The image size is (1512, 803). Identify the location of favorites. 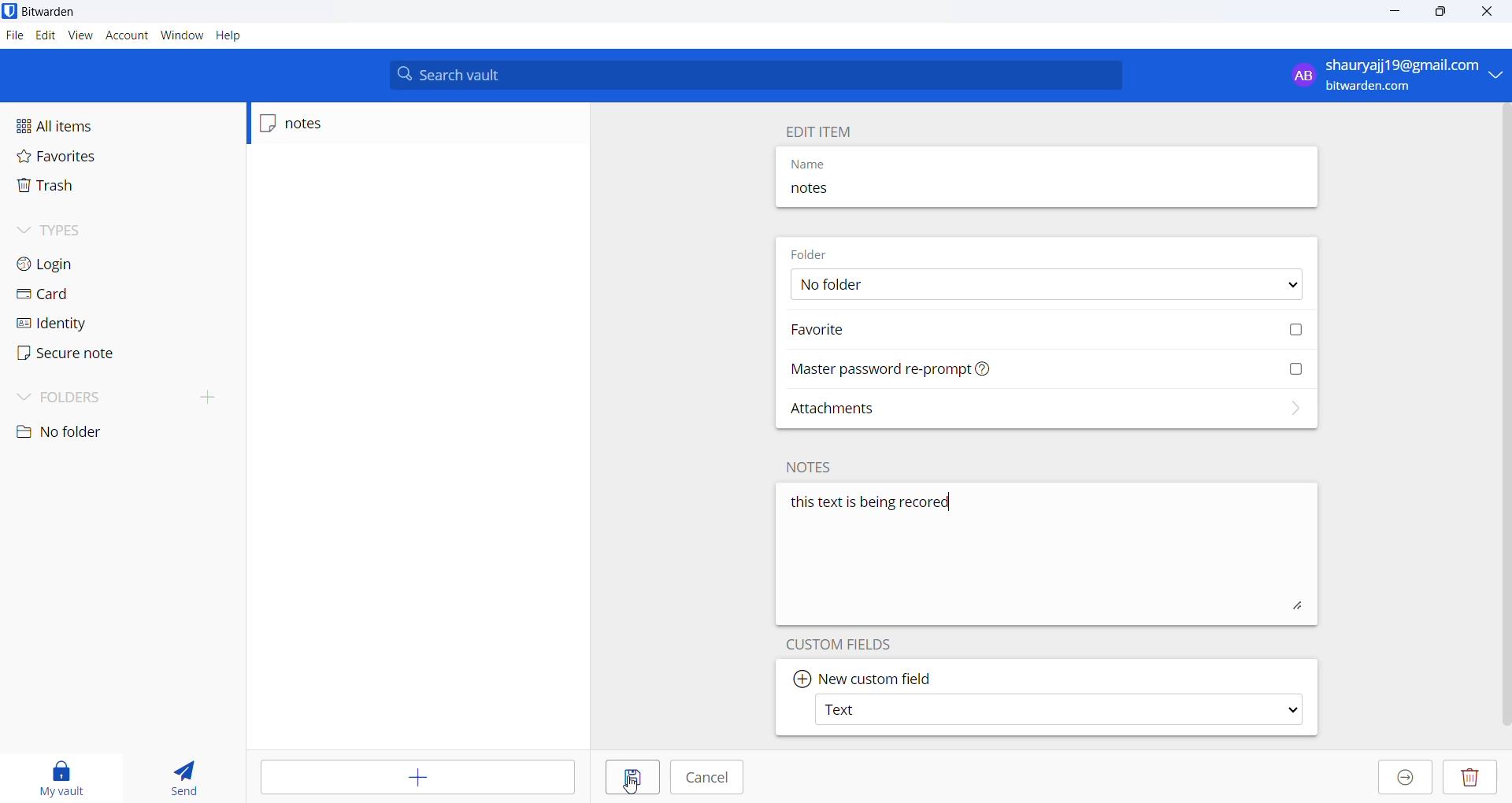
(72, 157).